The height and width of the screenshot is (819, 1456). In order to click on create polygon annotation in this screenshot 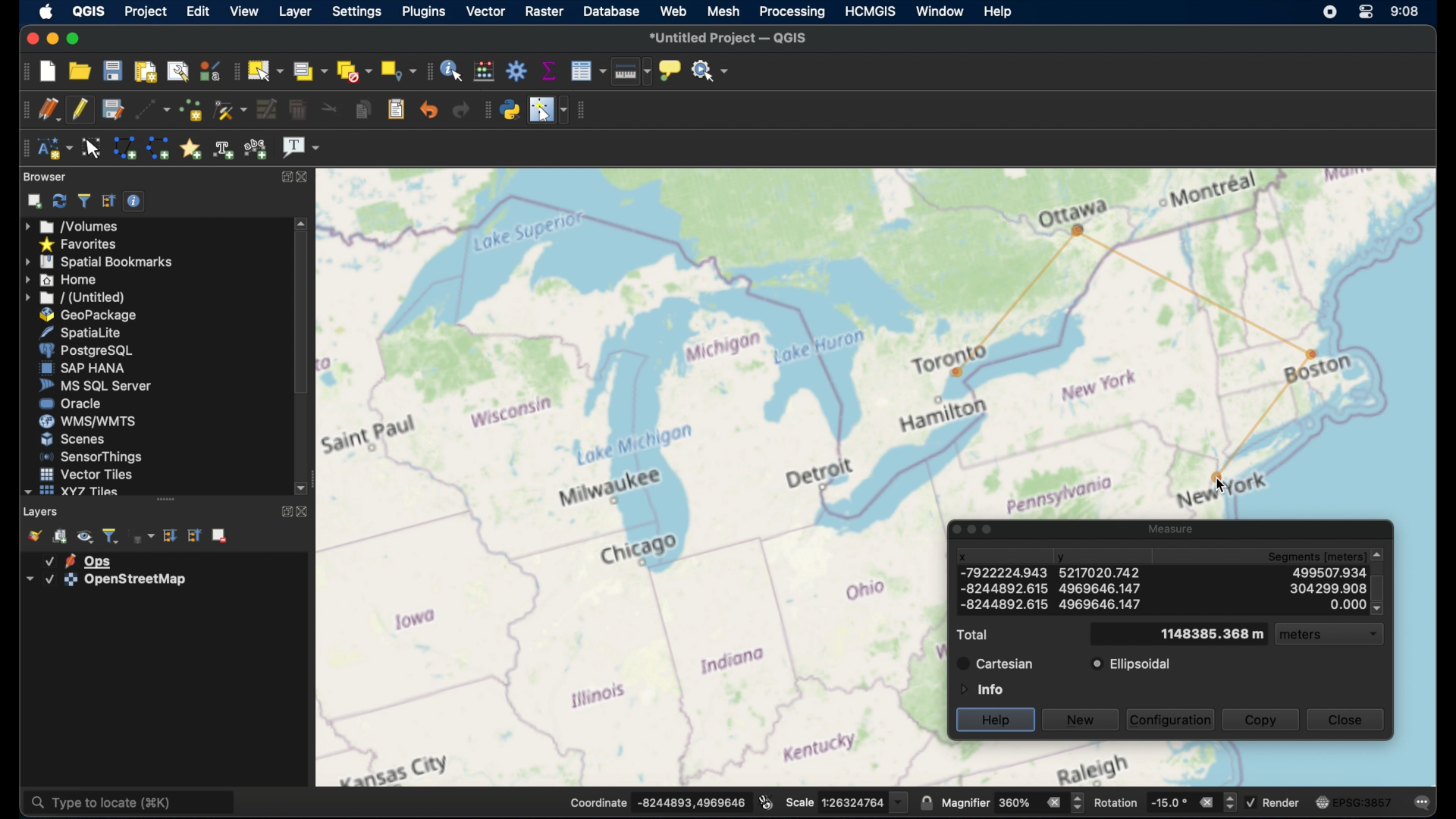, I will do `click(124, 149)`.